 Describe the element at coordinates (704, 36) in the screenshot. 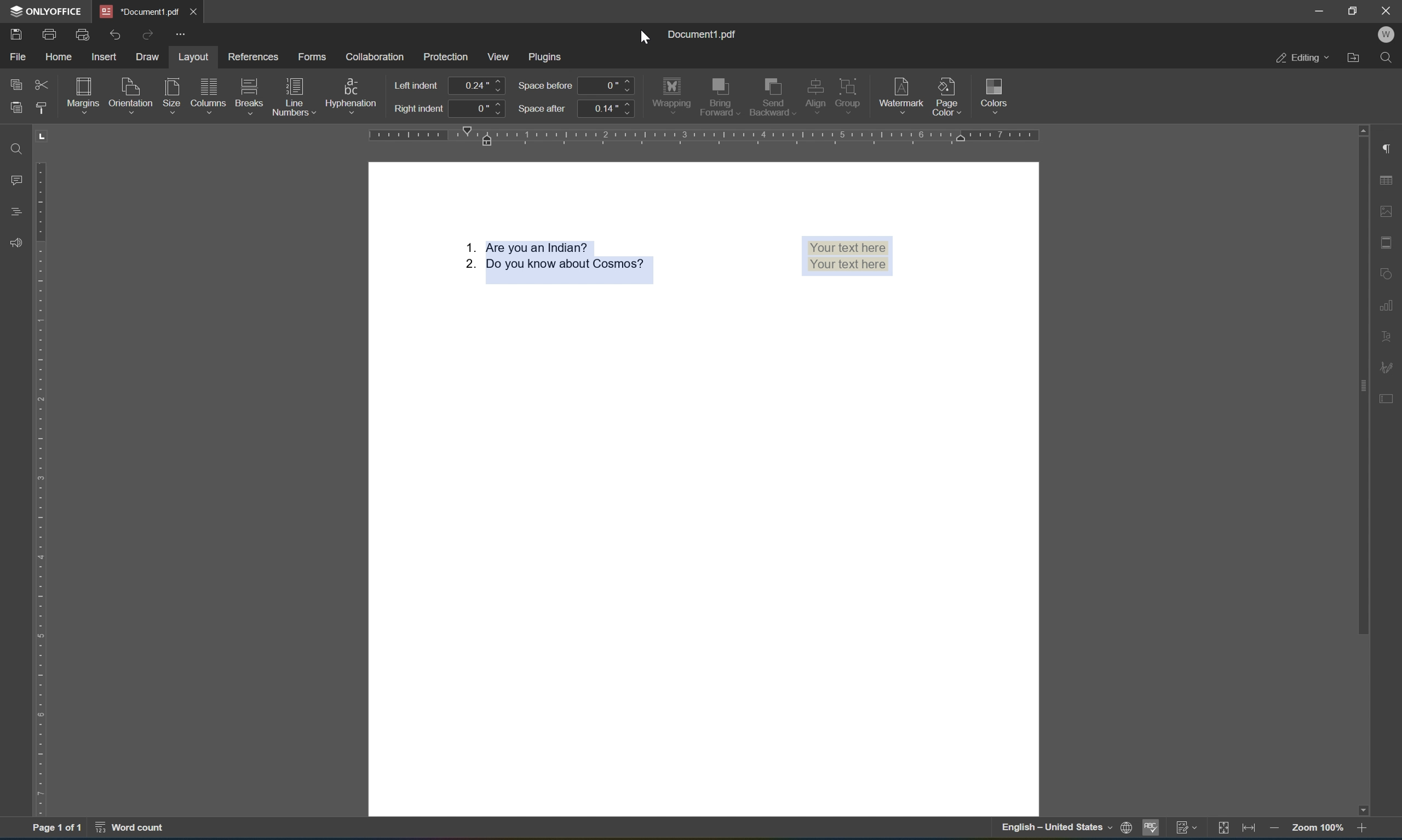

I see `document1.pdf` at that location.